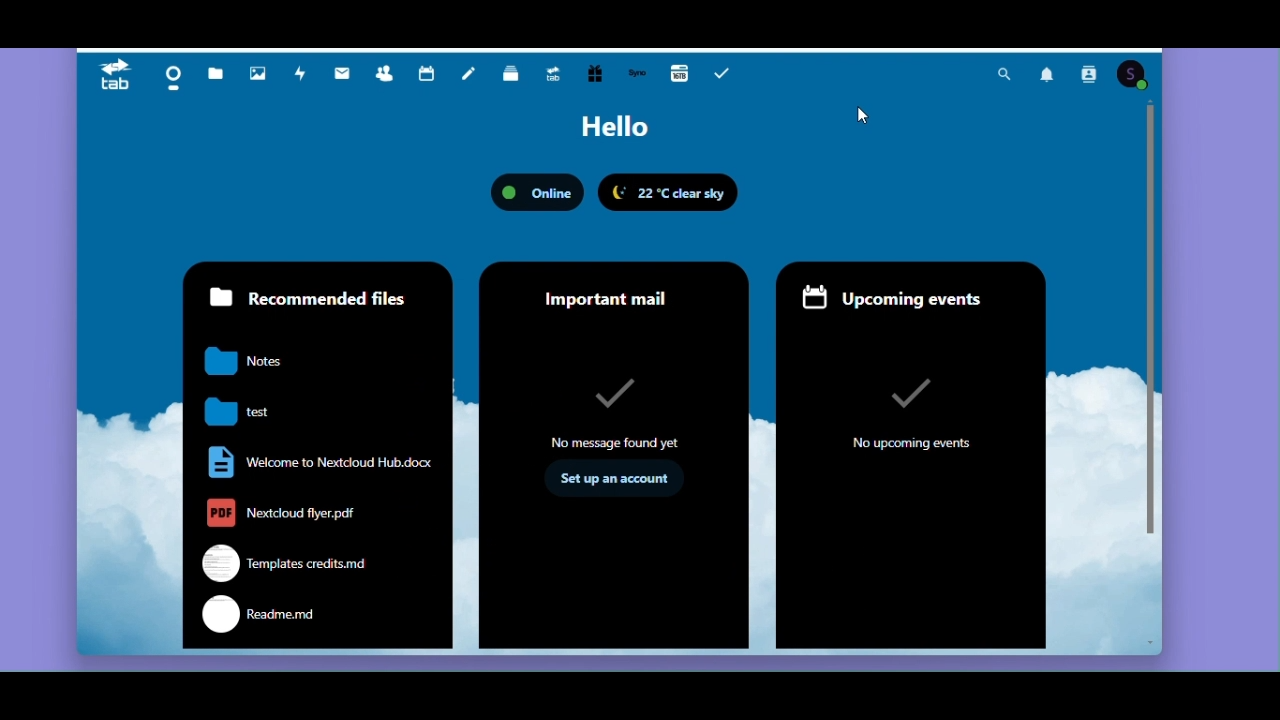  What do you see at coordinates (259, 362) in the screenshot?
I see `notes` at bounding box center [259, 362].